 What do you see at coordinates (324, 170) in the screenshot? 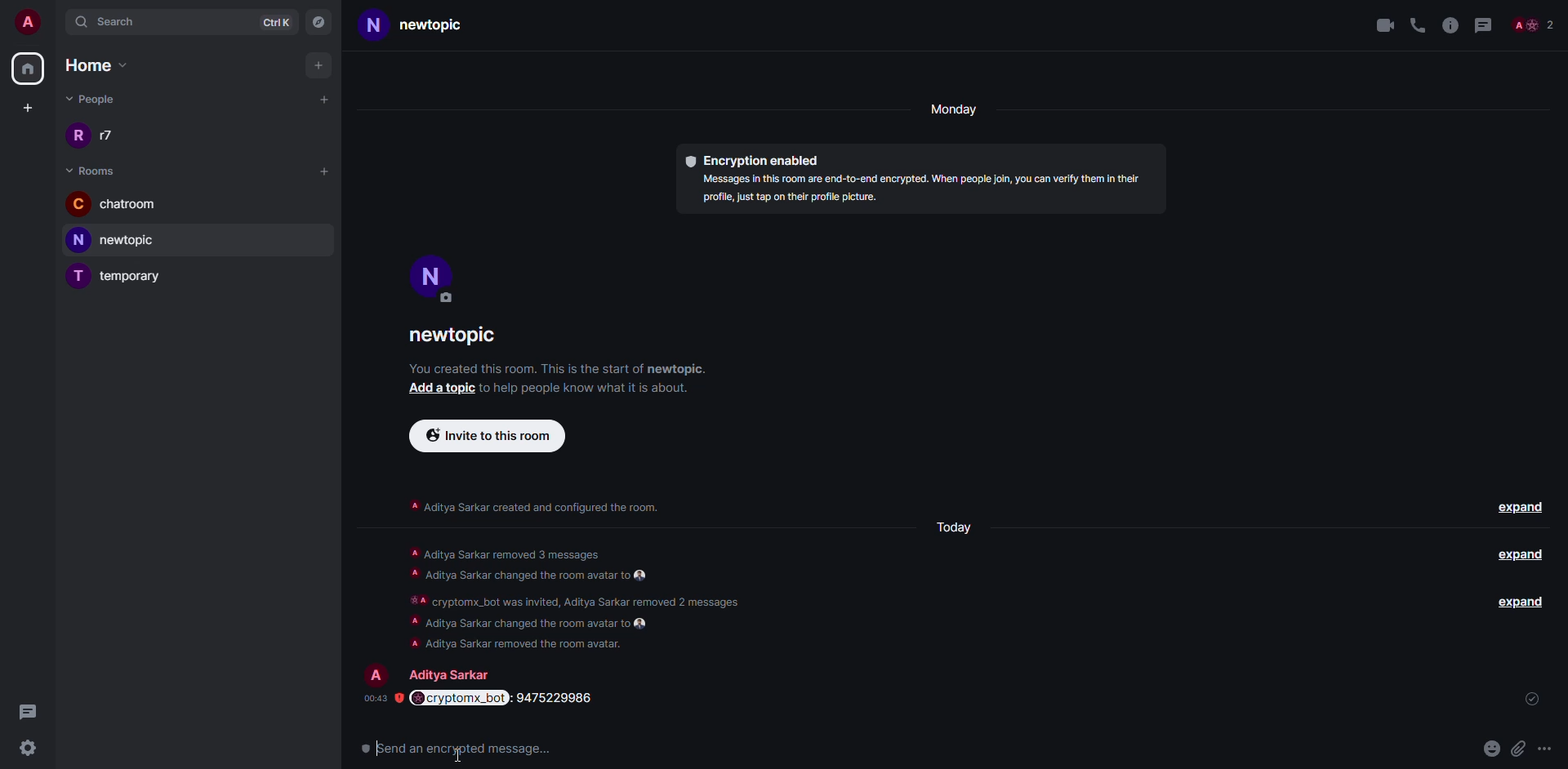
I see `add` at bounding box center [324, 170].